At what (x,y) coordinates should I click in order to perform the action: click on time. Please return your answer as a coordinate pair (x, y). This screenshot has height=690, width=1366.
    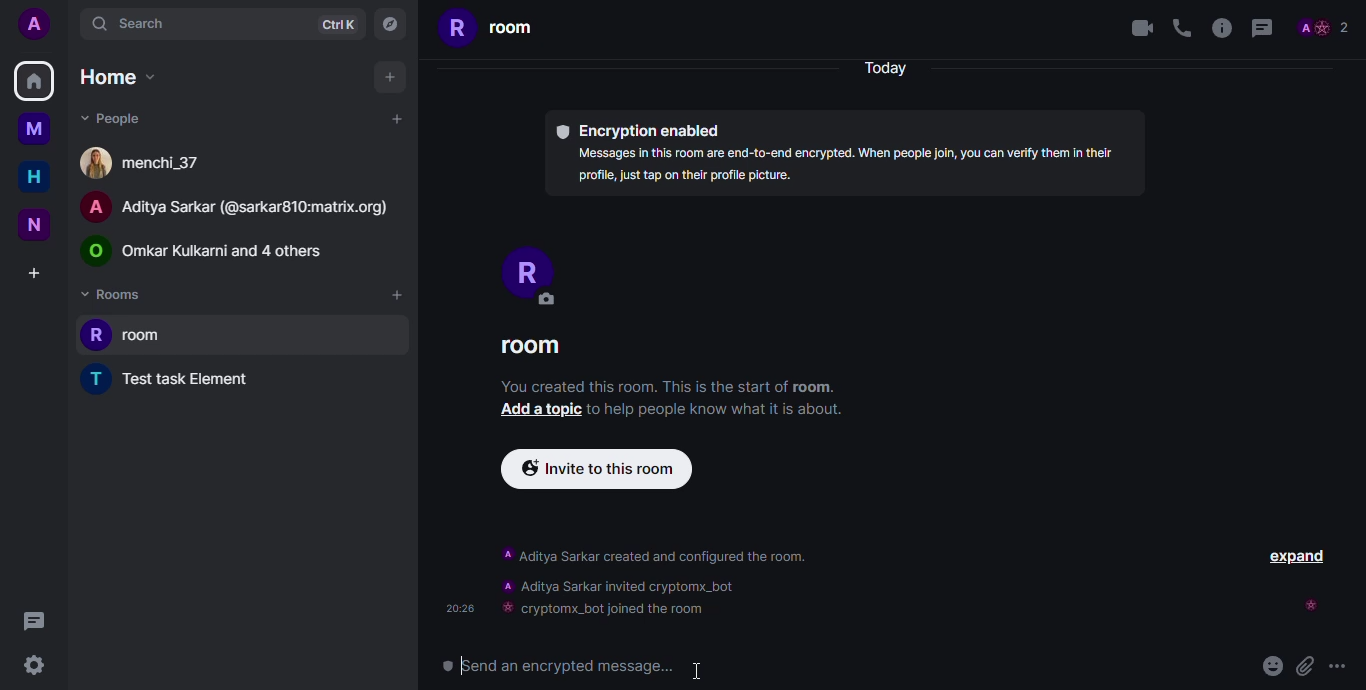
    Looking at the image, I should click on (459, 608).